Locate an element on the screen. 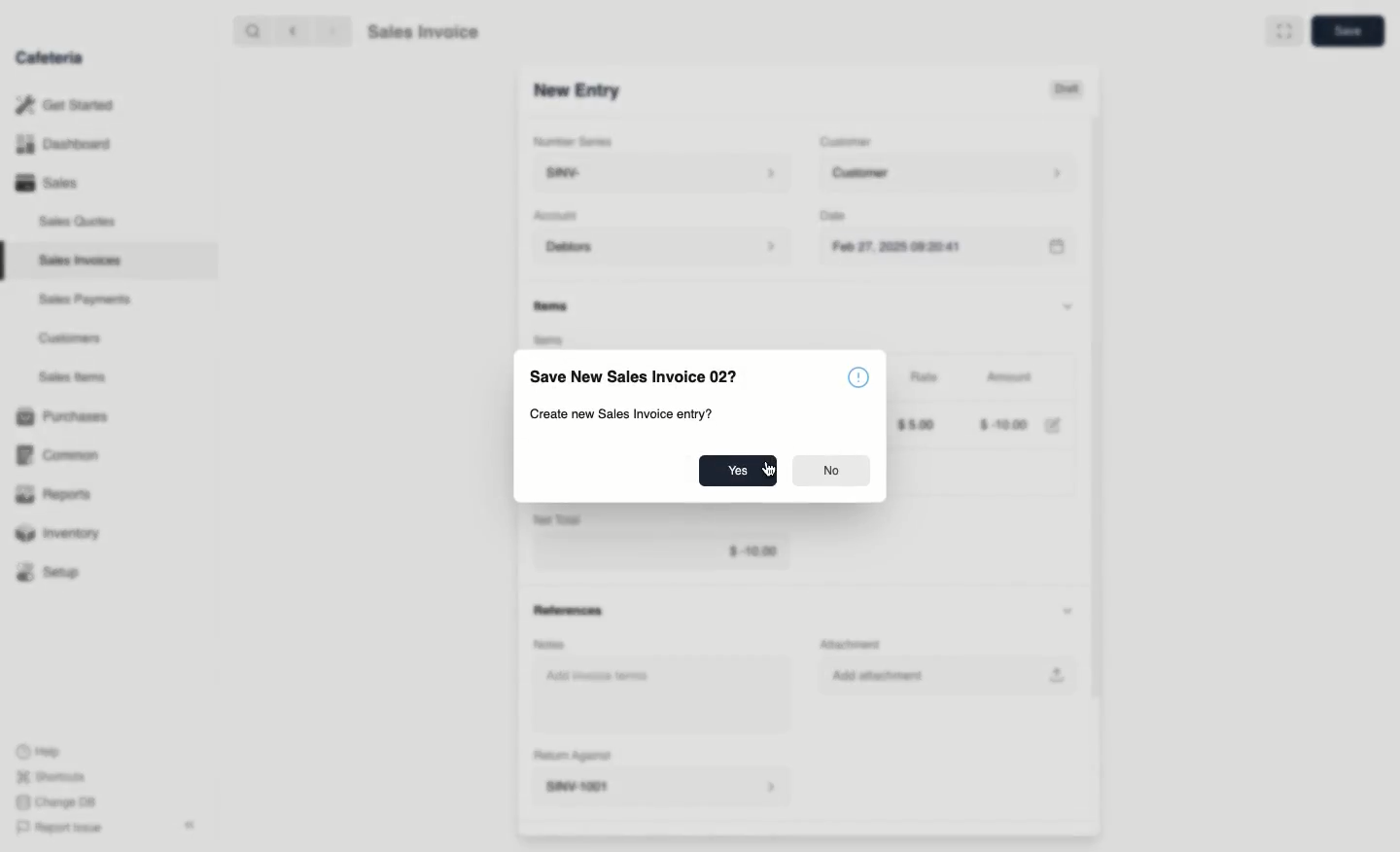  Items is located at coordinates (554, 305).